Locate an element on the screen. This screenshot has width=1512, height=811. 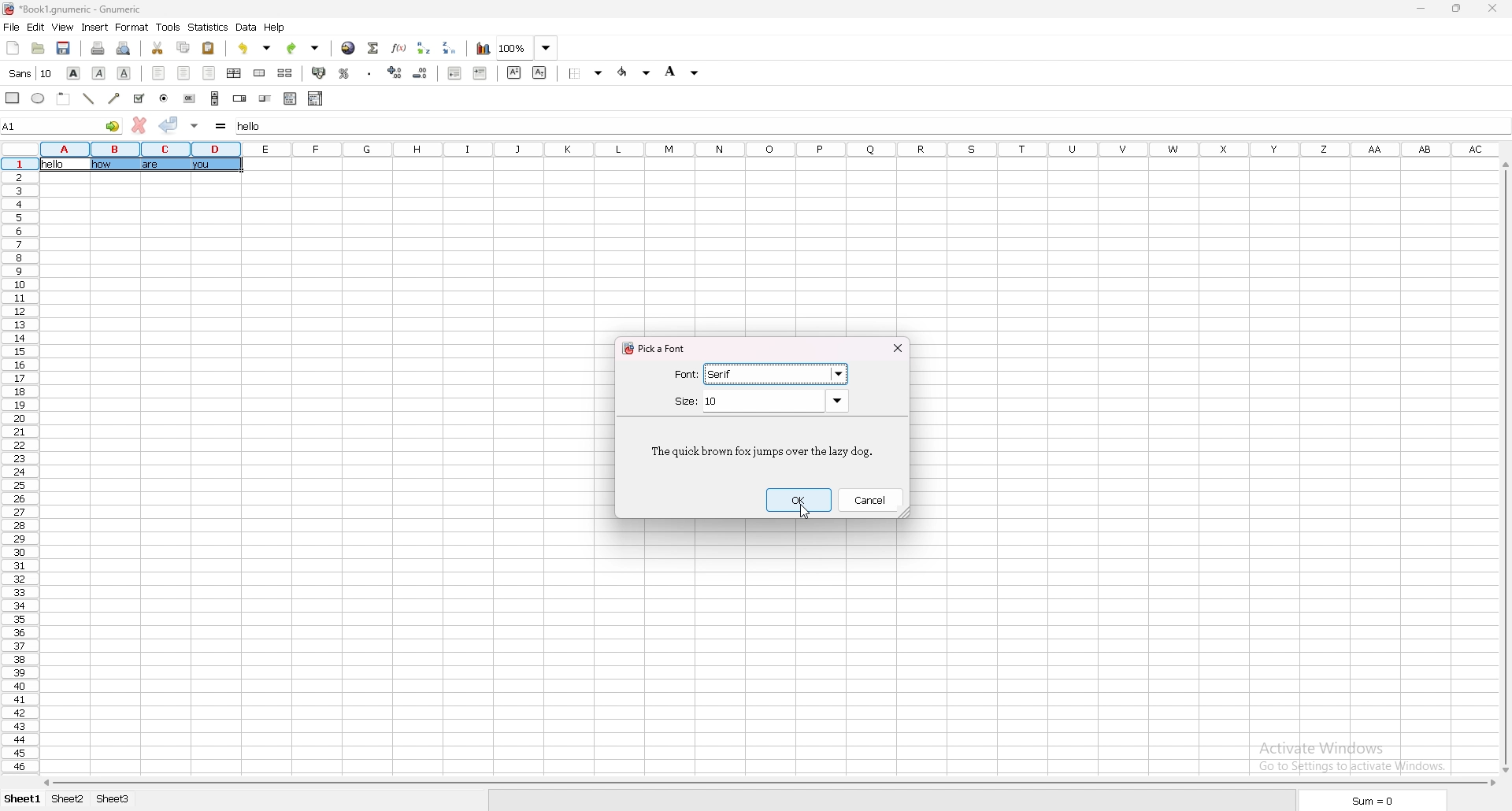
italic is located at coordinates (98, 72).